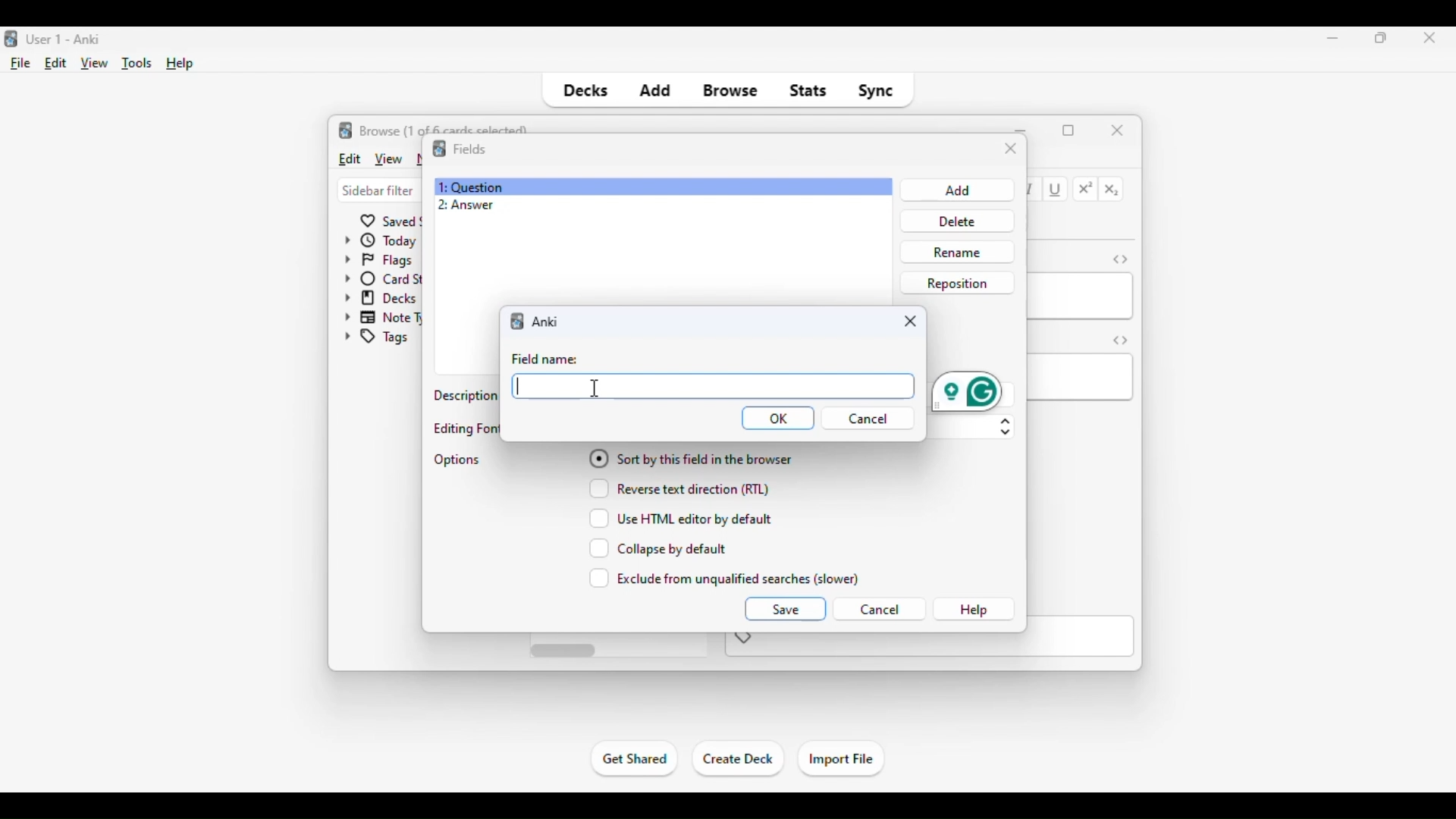  Describe the element at coordinates (1068, 130) in the screenshot. I see `maximize` at that location.